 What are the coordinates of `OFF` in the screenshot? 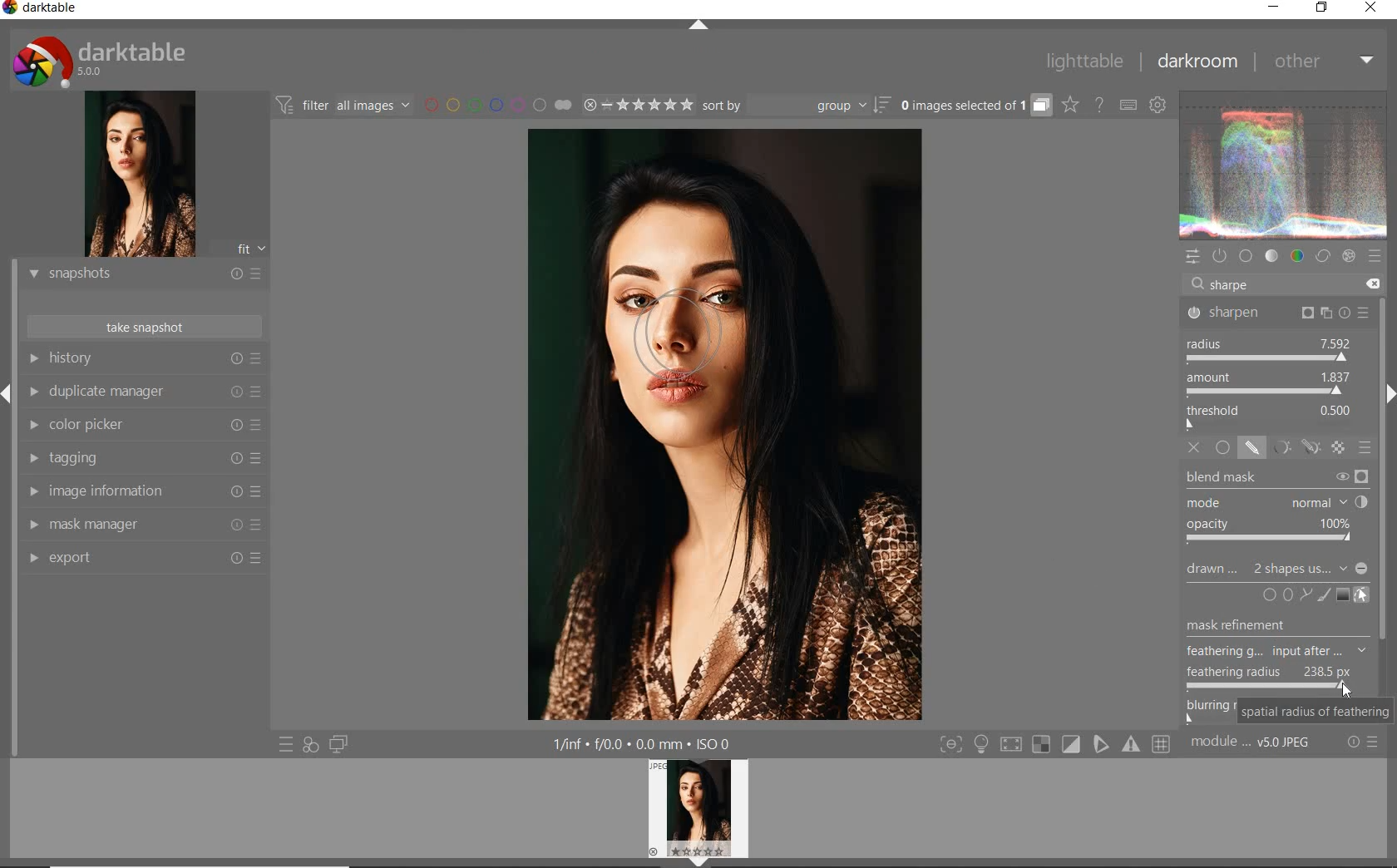 It's located at (1195, 447).